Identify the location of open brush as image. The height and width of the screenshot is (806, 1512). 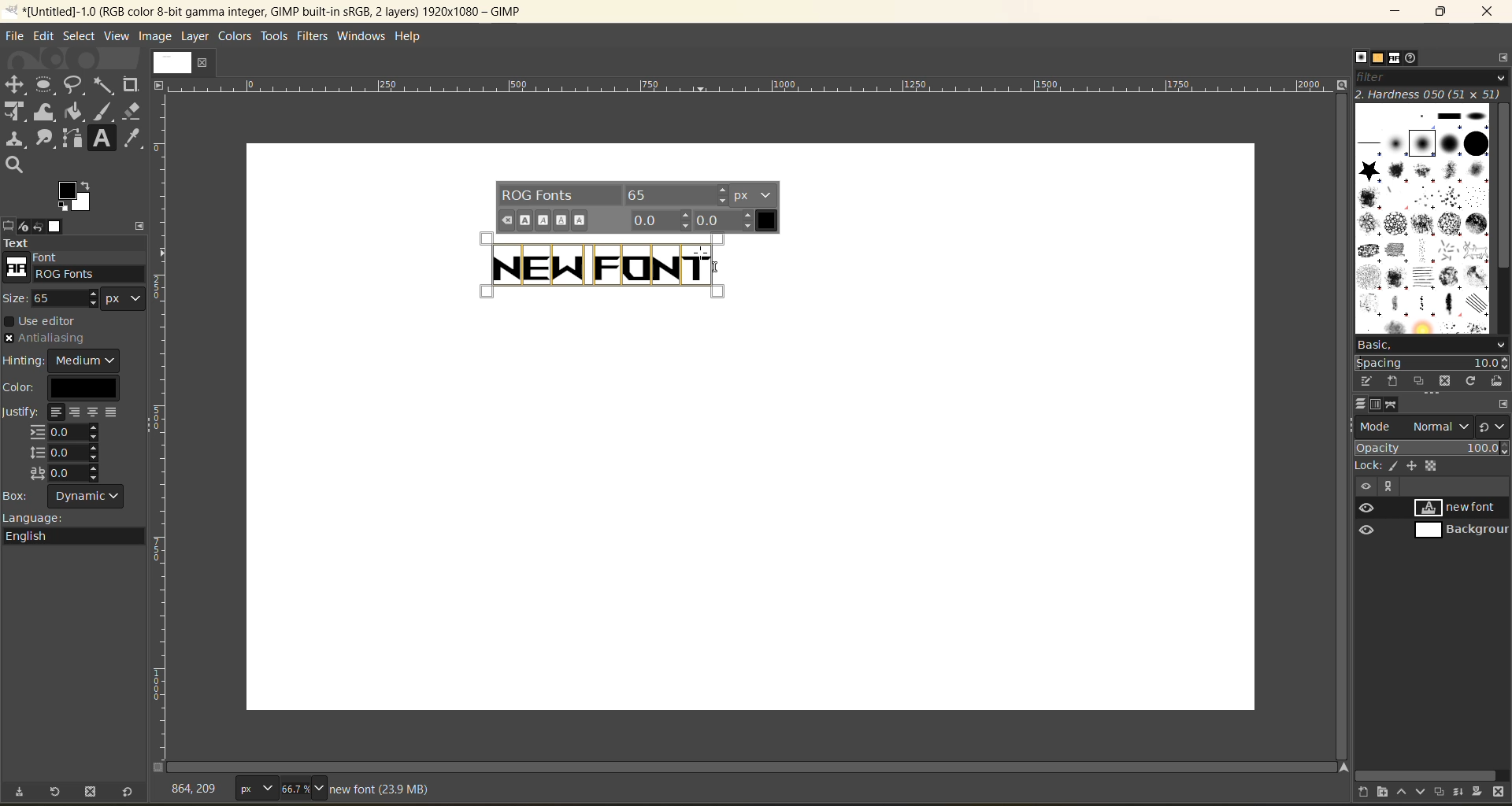
(1499, 383).